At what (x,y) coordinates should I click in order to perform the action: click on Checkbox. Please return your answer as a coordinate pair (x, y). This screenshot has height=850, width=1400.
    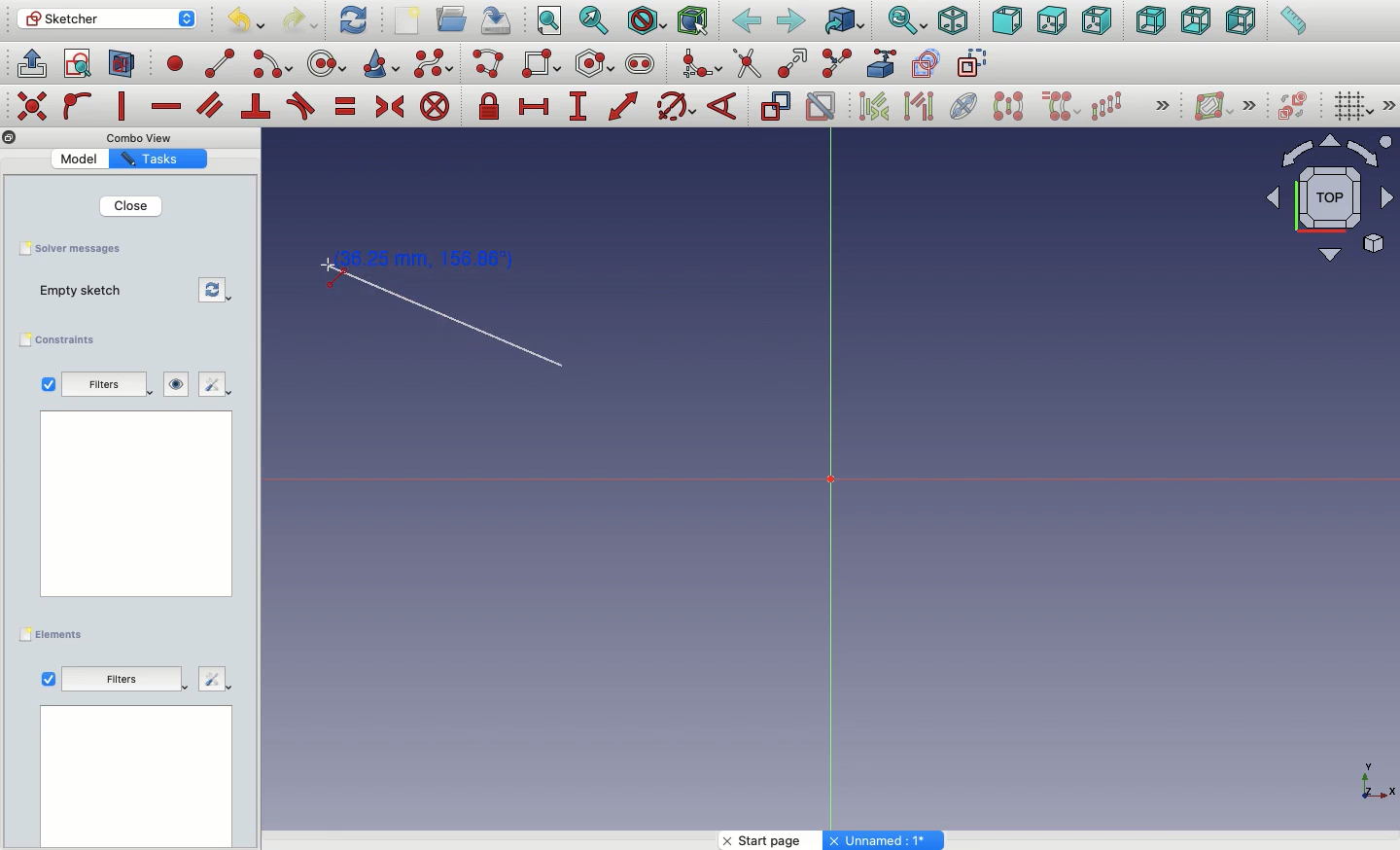
    Looking at the image, I should click on (47, 384).